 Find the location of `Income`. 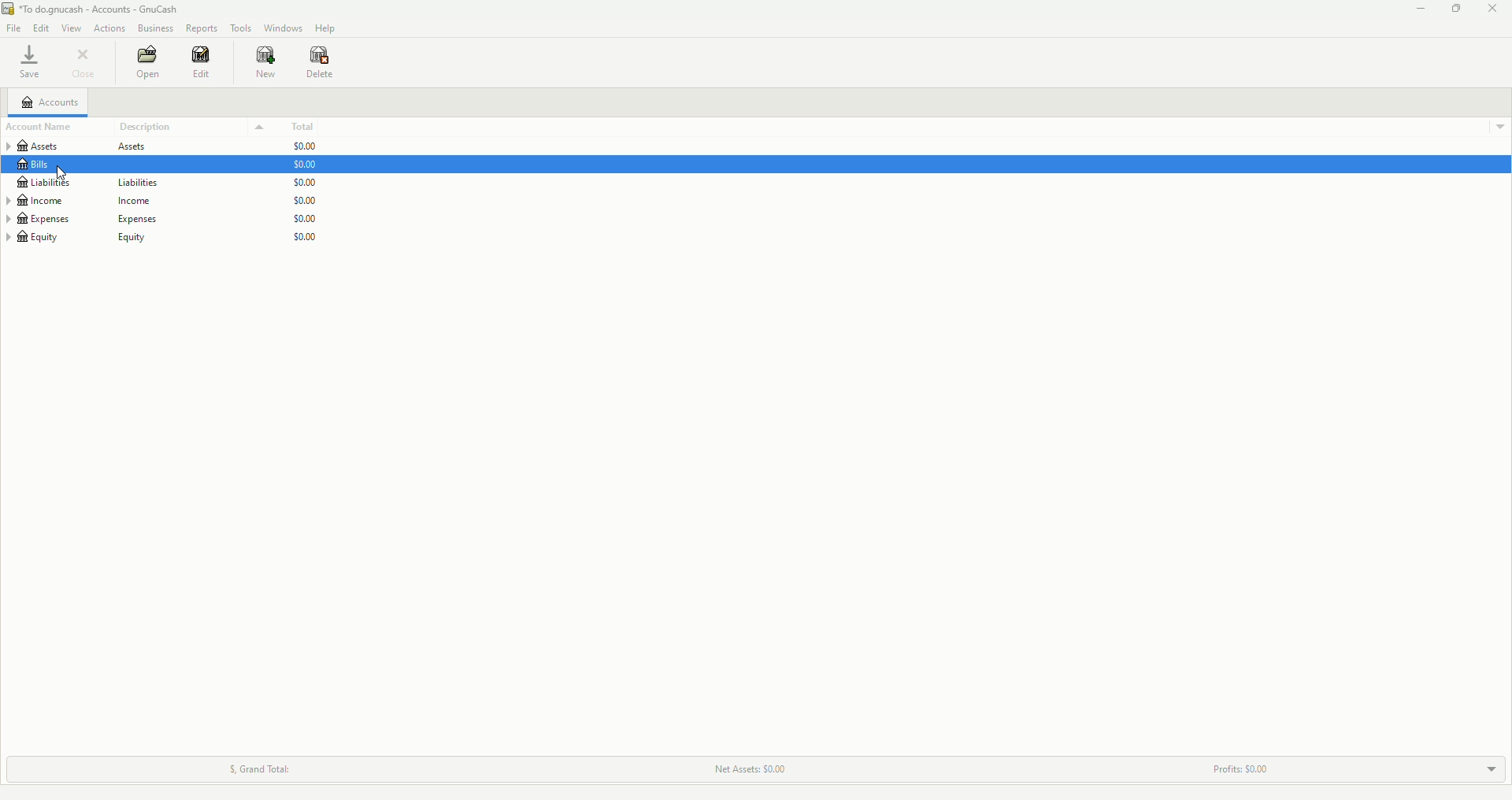

Income is located at coordinates (90, 200).